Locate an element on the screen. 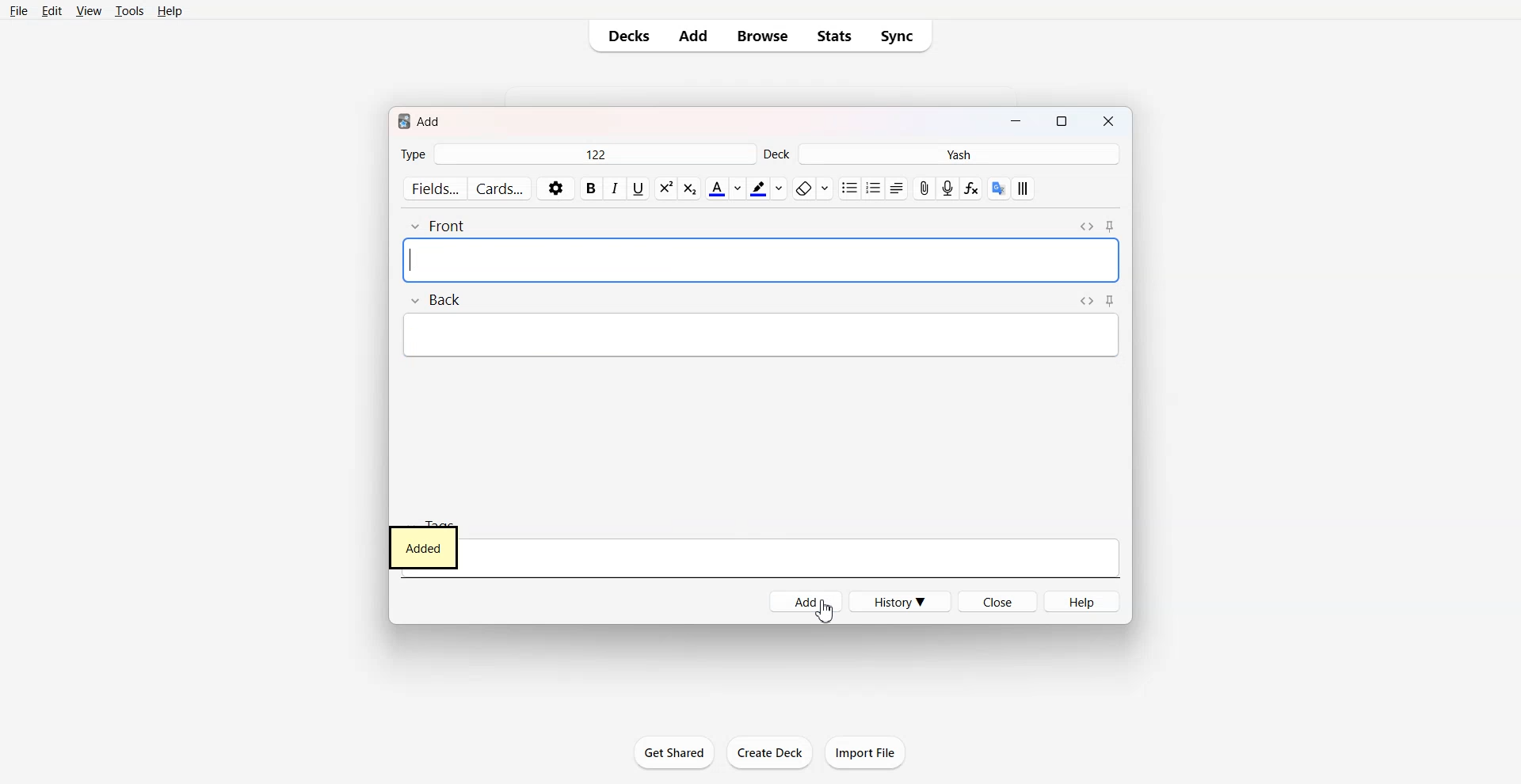 Image resolution: width=1521 pixels, height=784 pixels. Help is located at coordinates (1082, 601).